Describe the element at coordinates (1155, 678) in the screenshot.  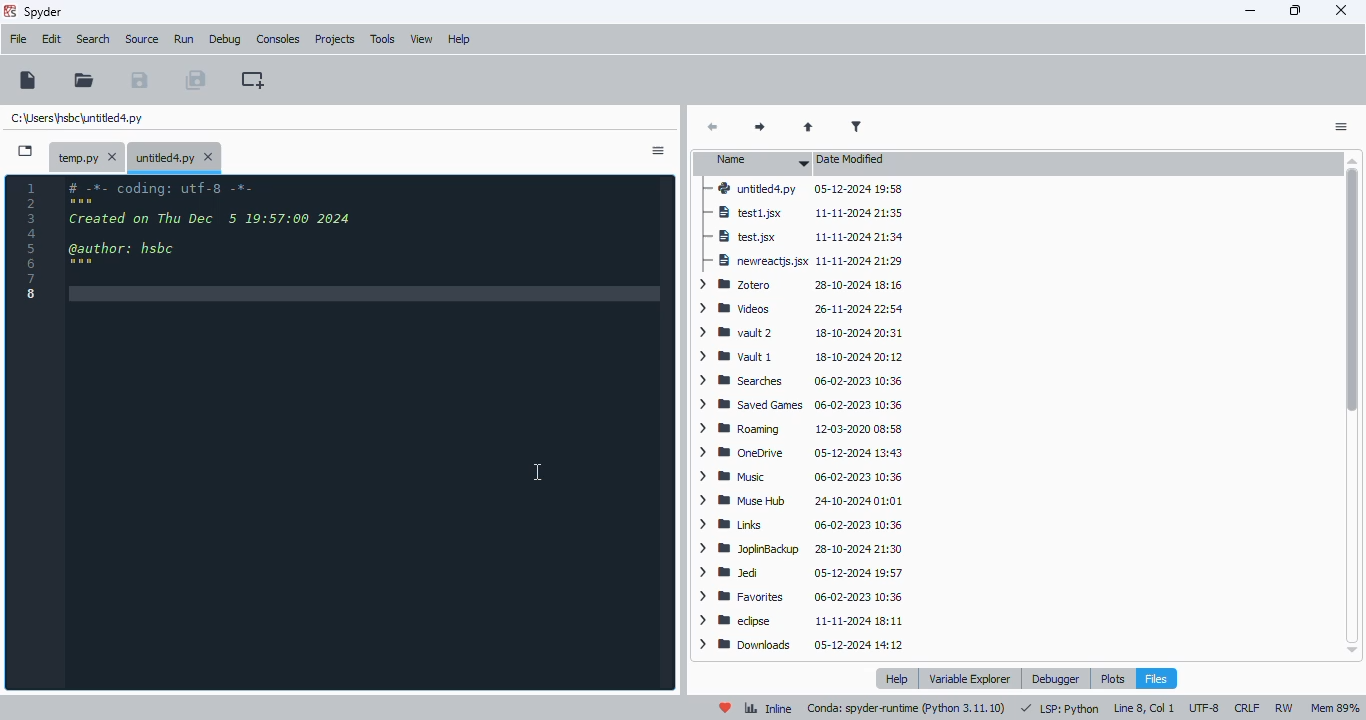
I see `files` at that location.